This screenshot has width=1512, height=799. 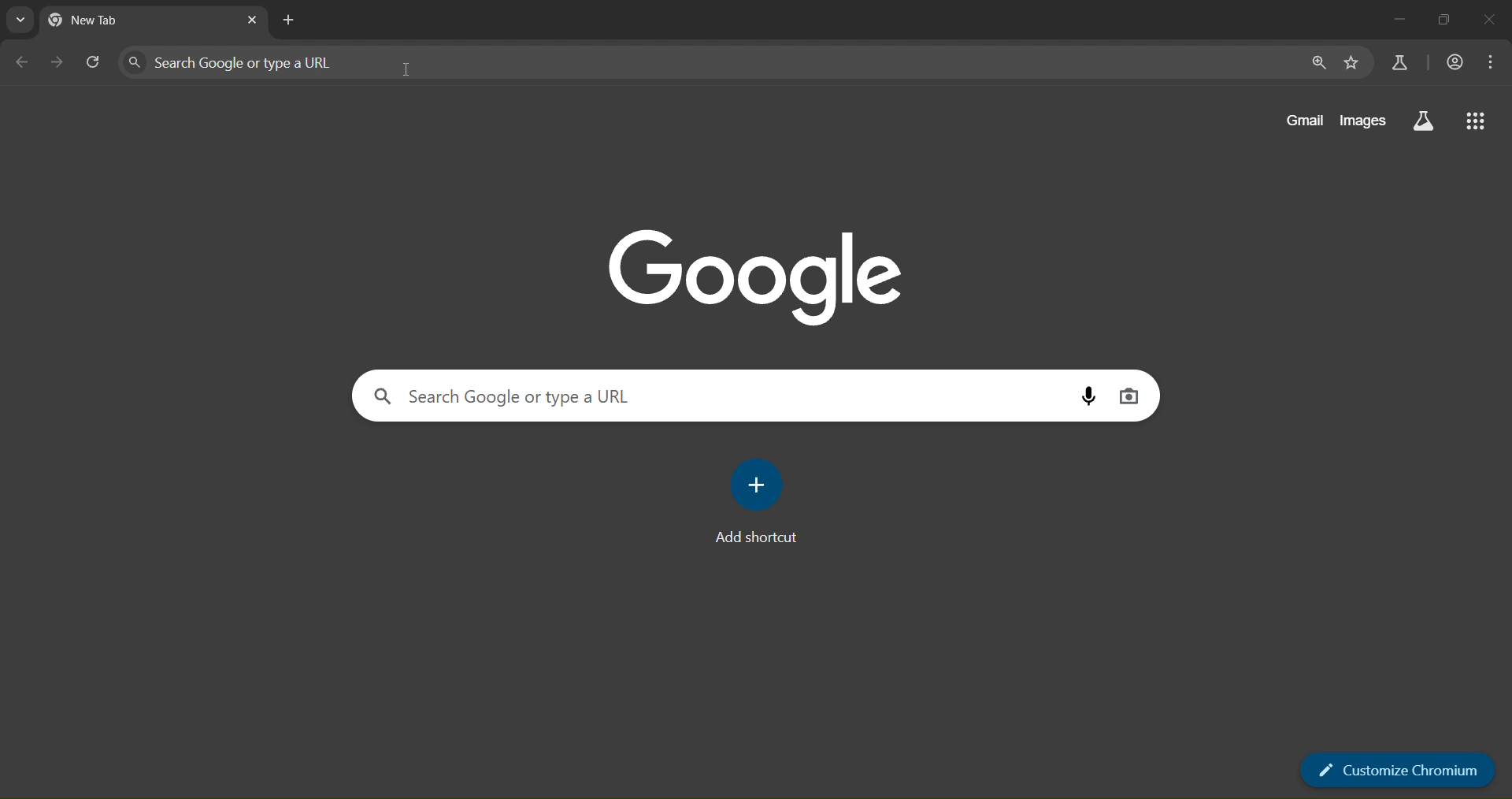 I want to click on search tabs, so click(x=18, y=20).